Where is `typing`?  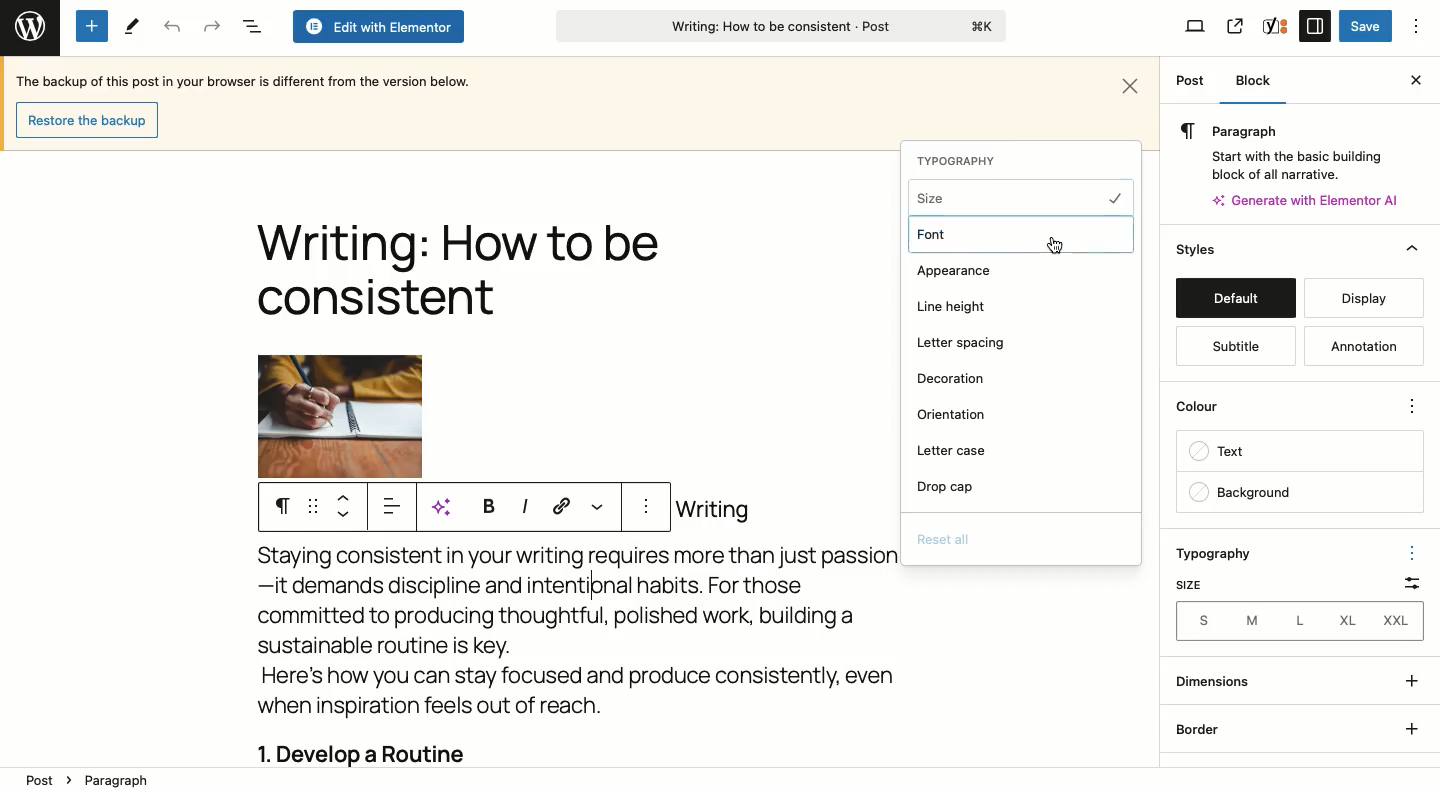
typing is located at coordinates (598, 586).